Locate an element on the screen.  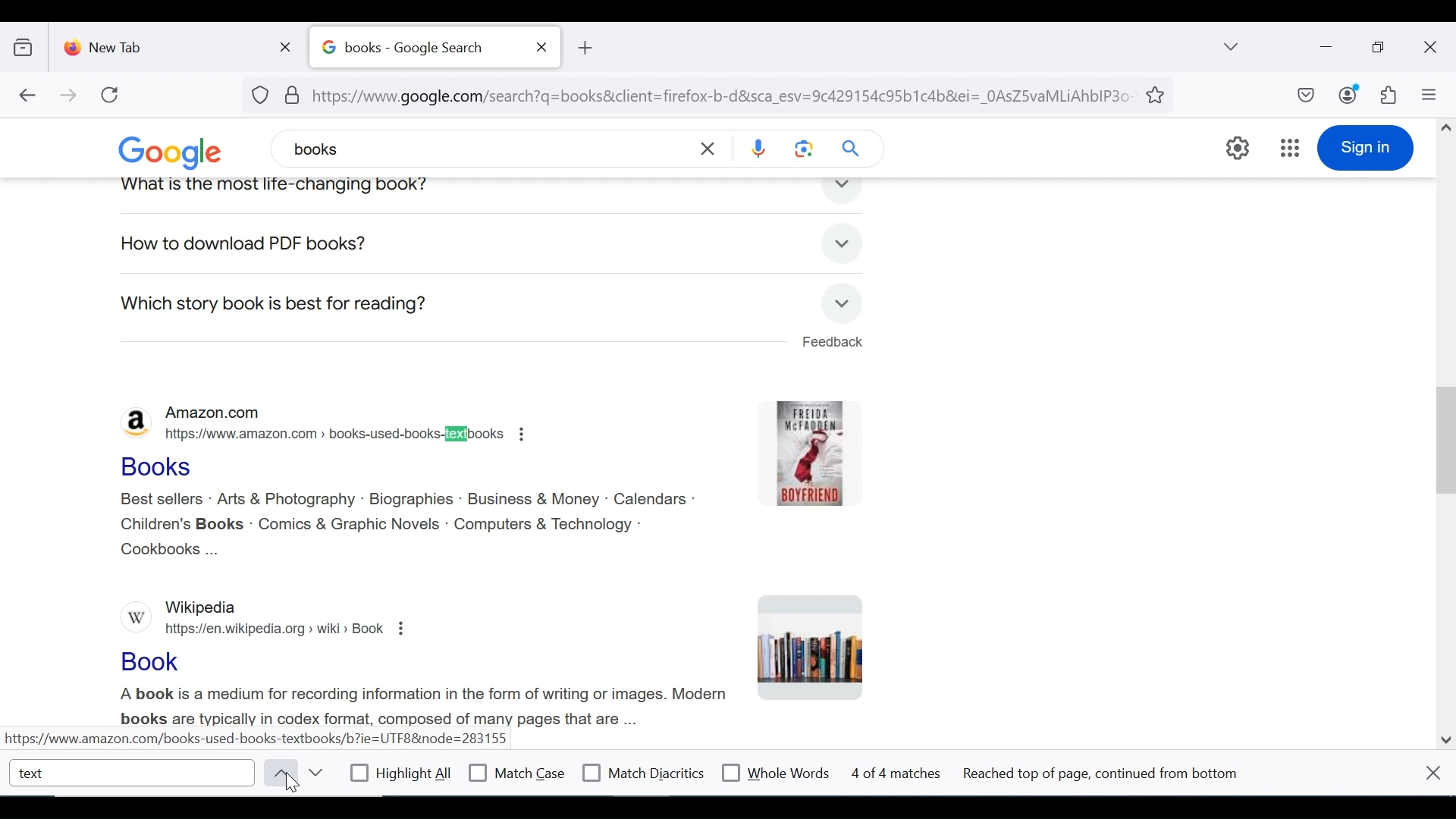
logo is located at coordinates (133, 618).